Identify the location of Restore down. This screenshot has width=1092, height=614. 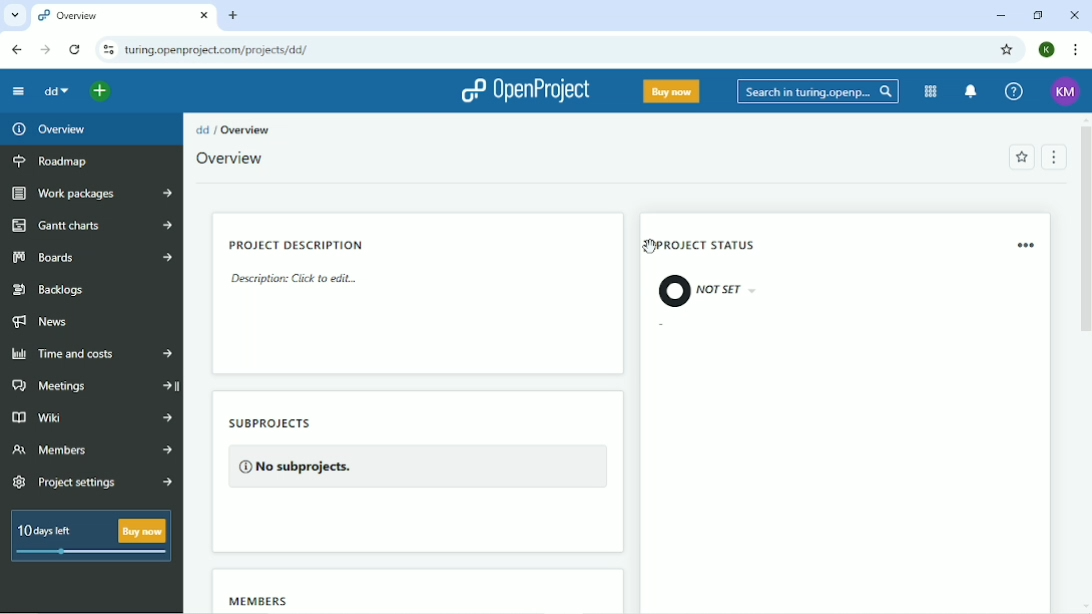
(1037, 15).